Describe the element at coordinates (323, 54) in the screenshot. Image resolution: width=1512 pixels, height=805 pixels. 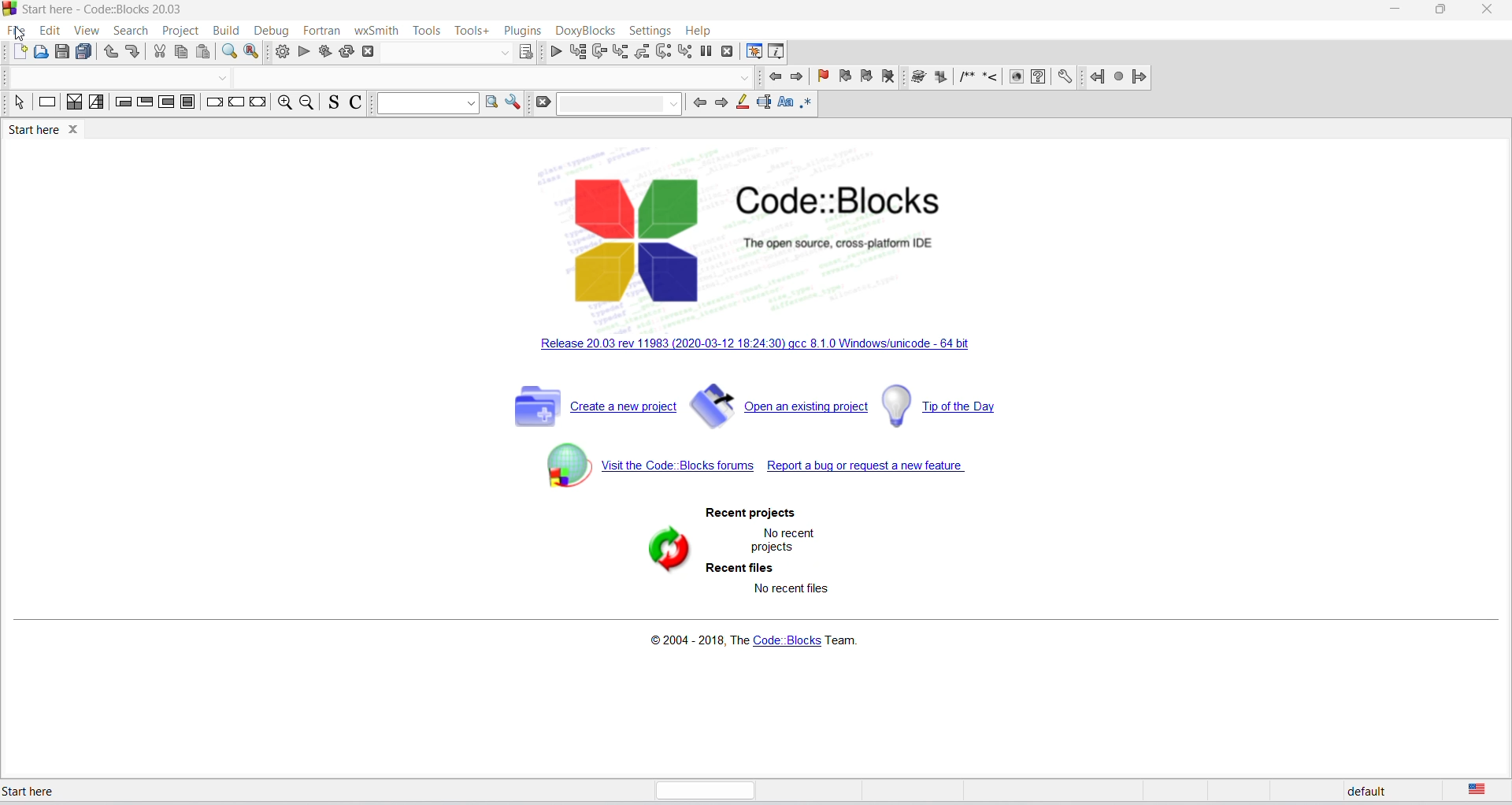
I see `build and run` at that location.